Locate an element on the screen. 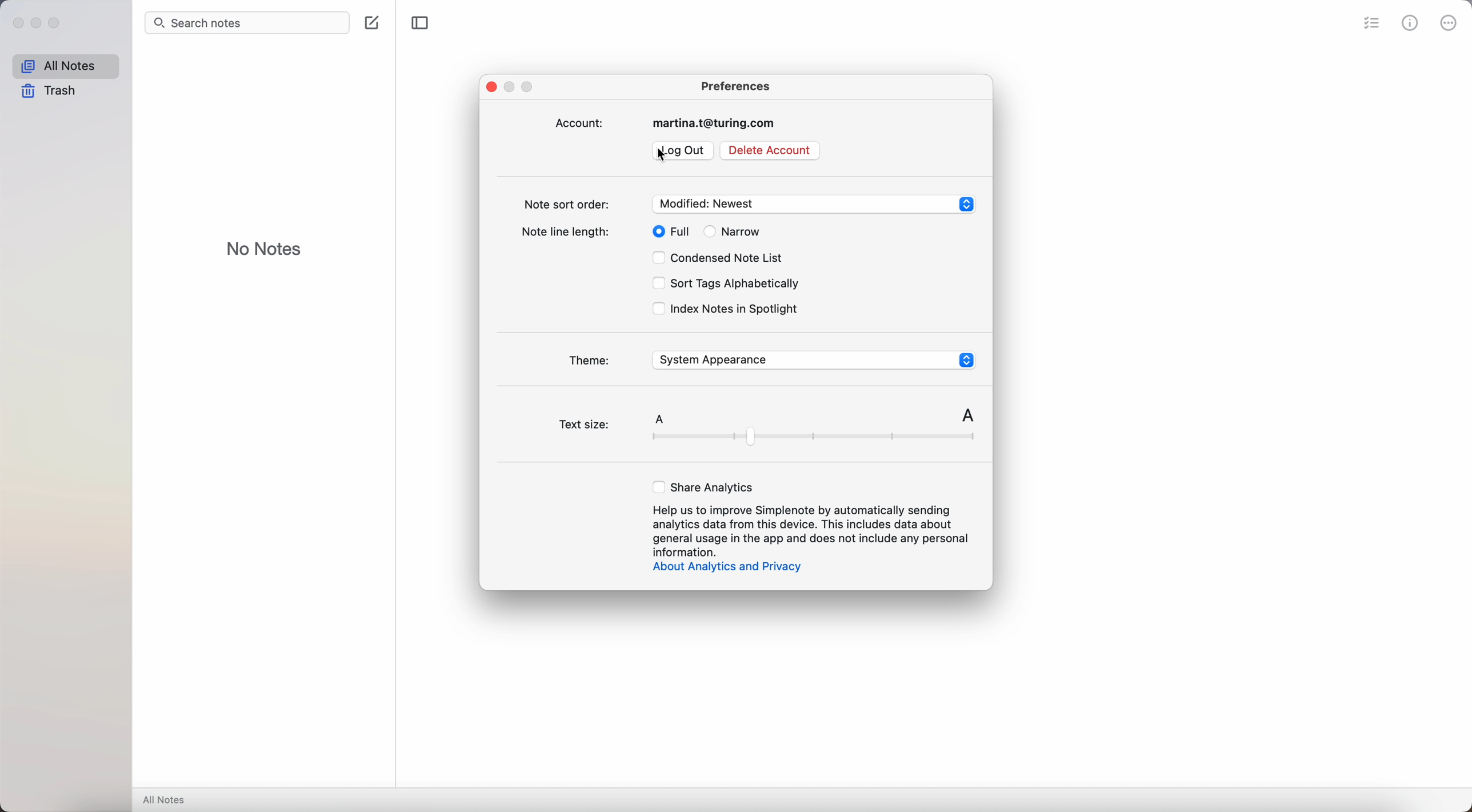  account is located at coordinates (581, 123).